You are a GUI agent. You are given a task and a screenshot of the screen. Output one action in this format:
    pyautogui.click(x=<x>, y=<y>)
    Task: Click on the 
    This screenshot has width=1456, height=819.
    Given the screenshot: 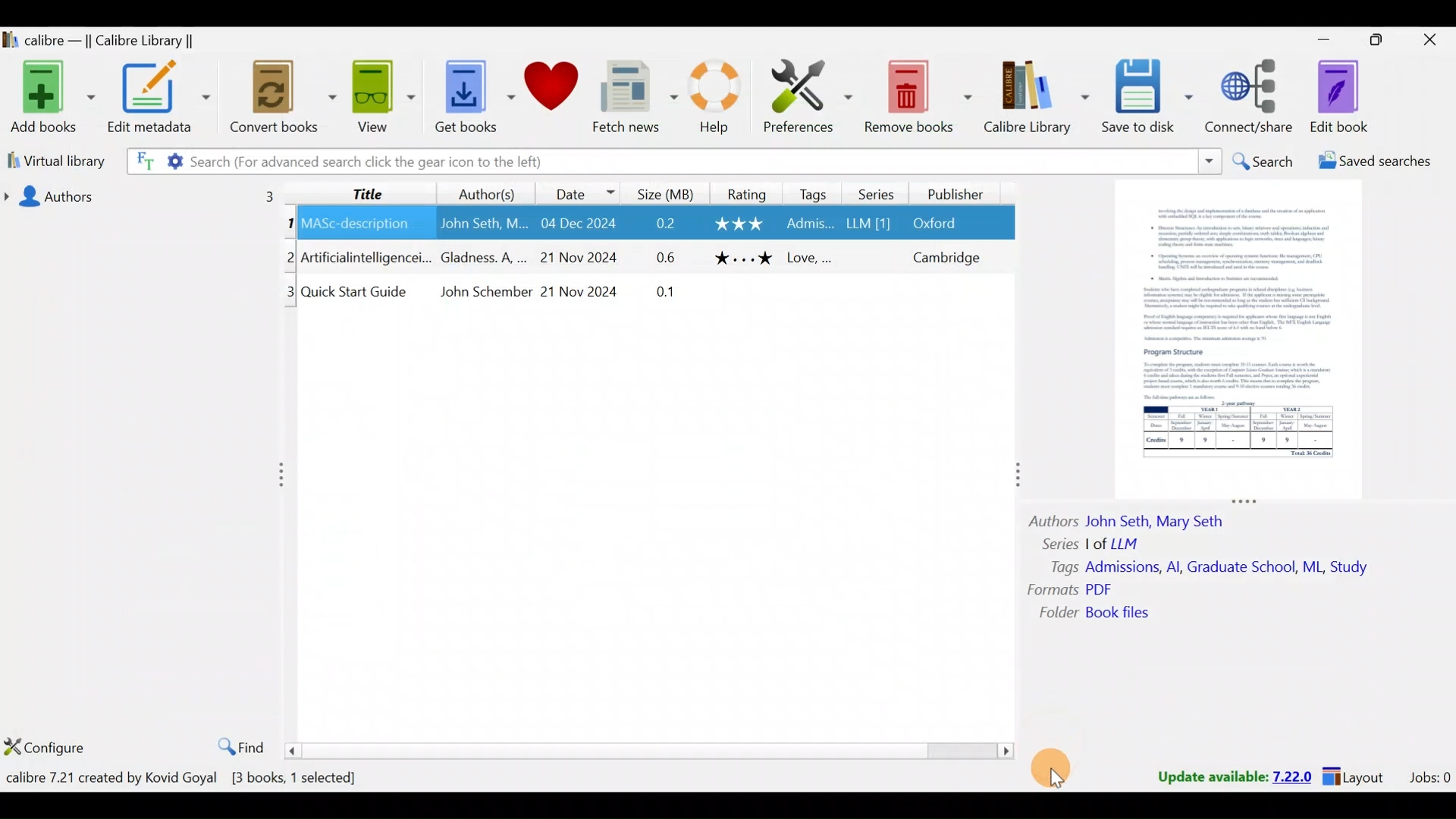 What is the action you would take?
    pyautogui.click(x=485, y=259)
    